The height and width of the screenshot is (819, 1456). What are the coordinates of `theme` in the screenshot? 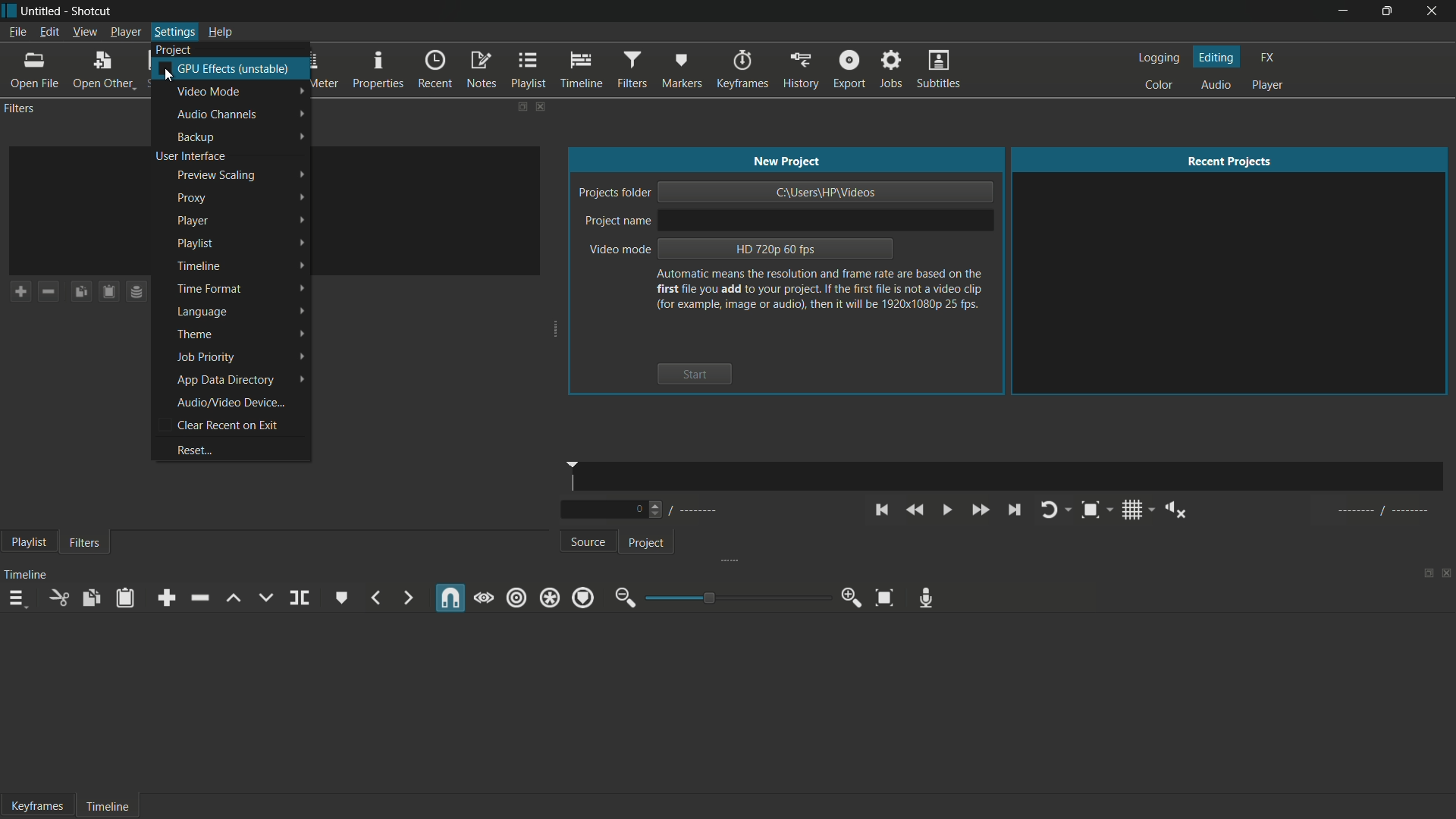 It's located at (196, 334).